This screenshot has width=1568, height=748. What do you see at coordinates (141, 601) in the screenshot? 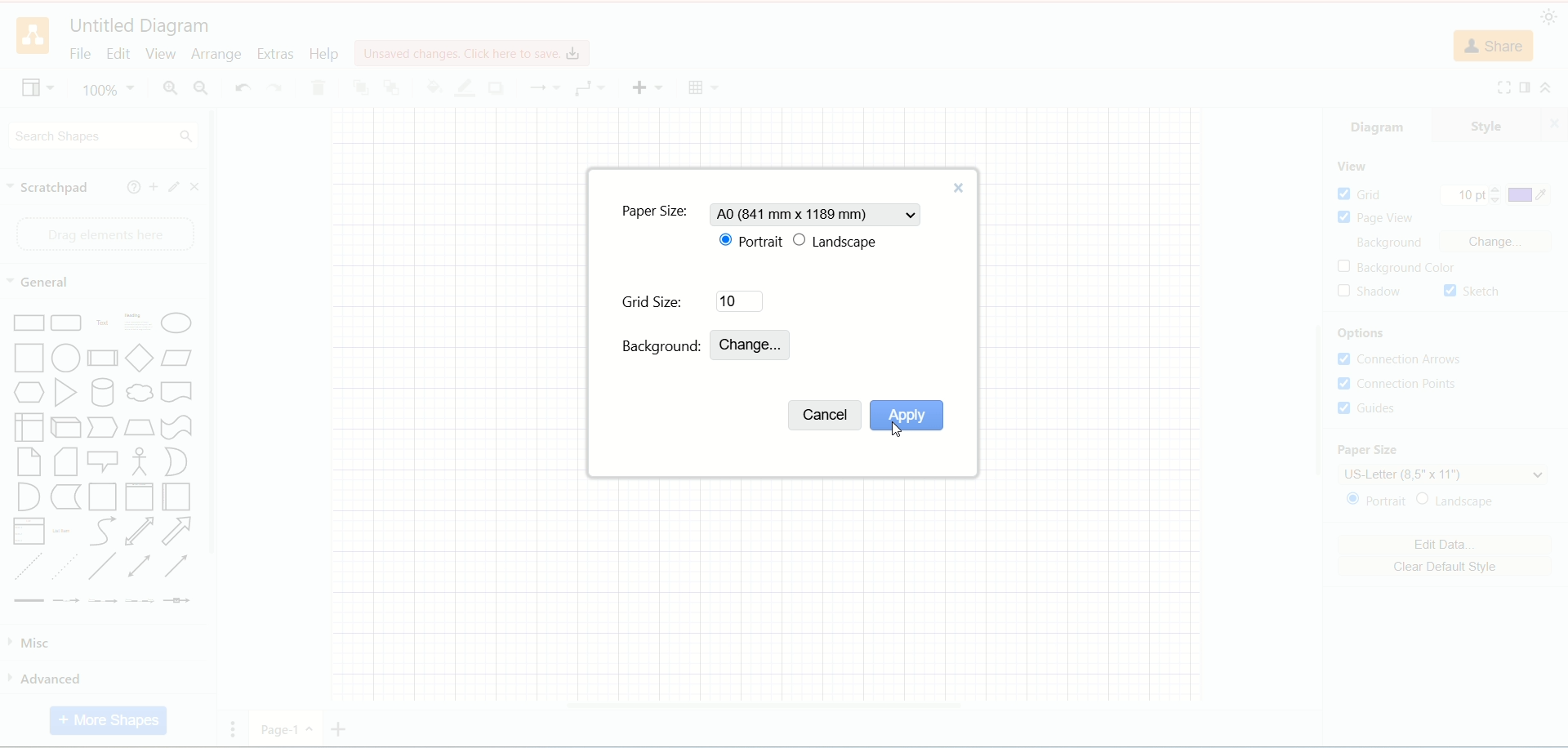
I see `Connector with 3 Labels` at bounding box center [141, 601].